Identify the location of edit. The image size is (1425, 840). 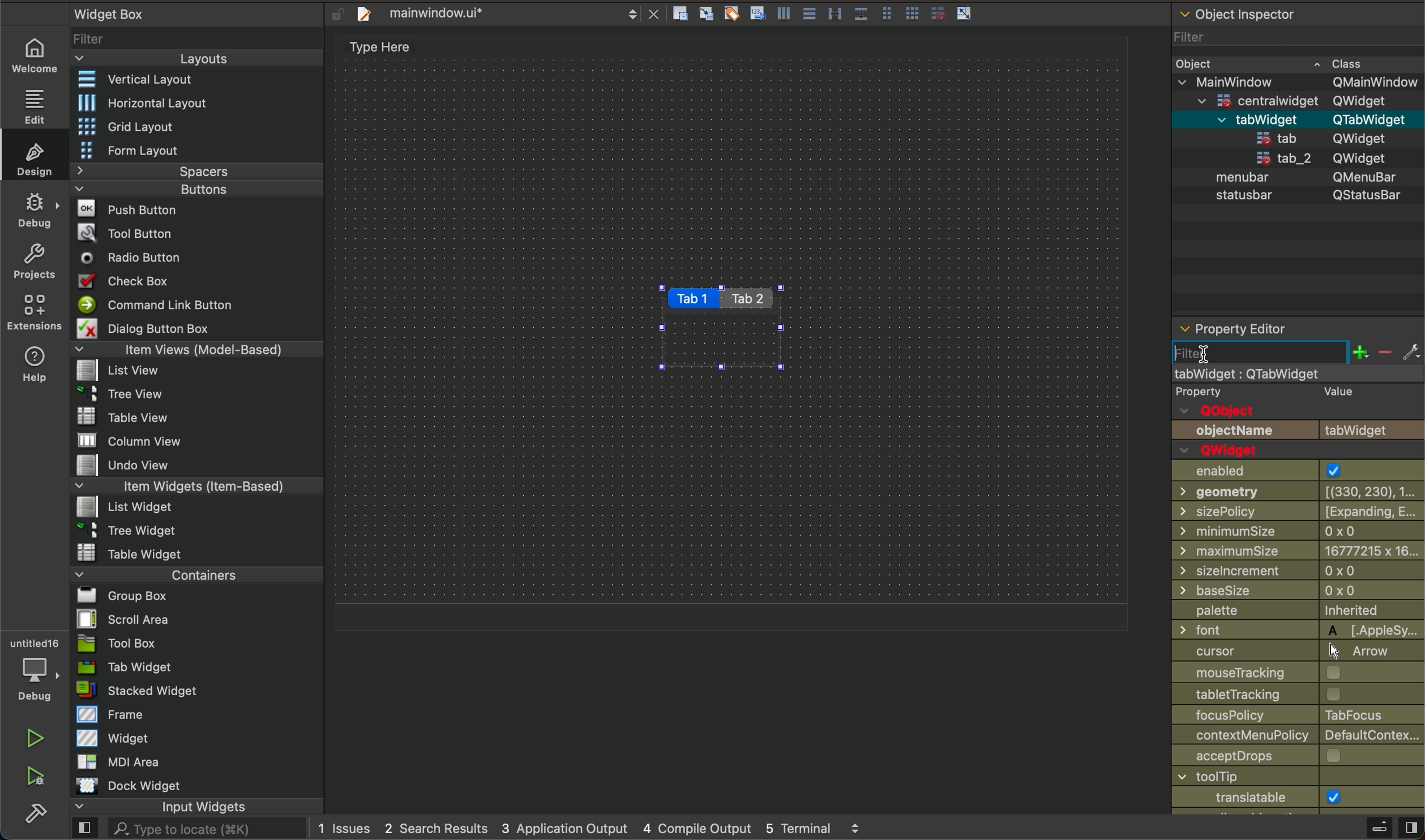
(36, 103).